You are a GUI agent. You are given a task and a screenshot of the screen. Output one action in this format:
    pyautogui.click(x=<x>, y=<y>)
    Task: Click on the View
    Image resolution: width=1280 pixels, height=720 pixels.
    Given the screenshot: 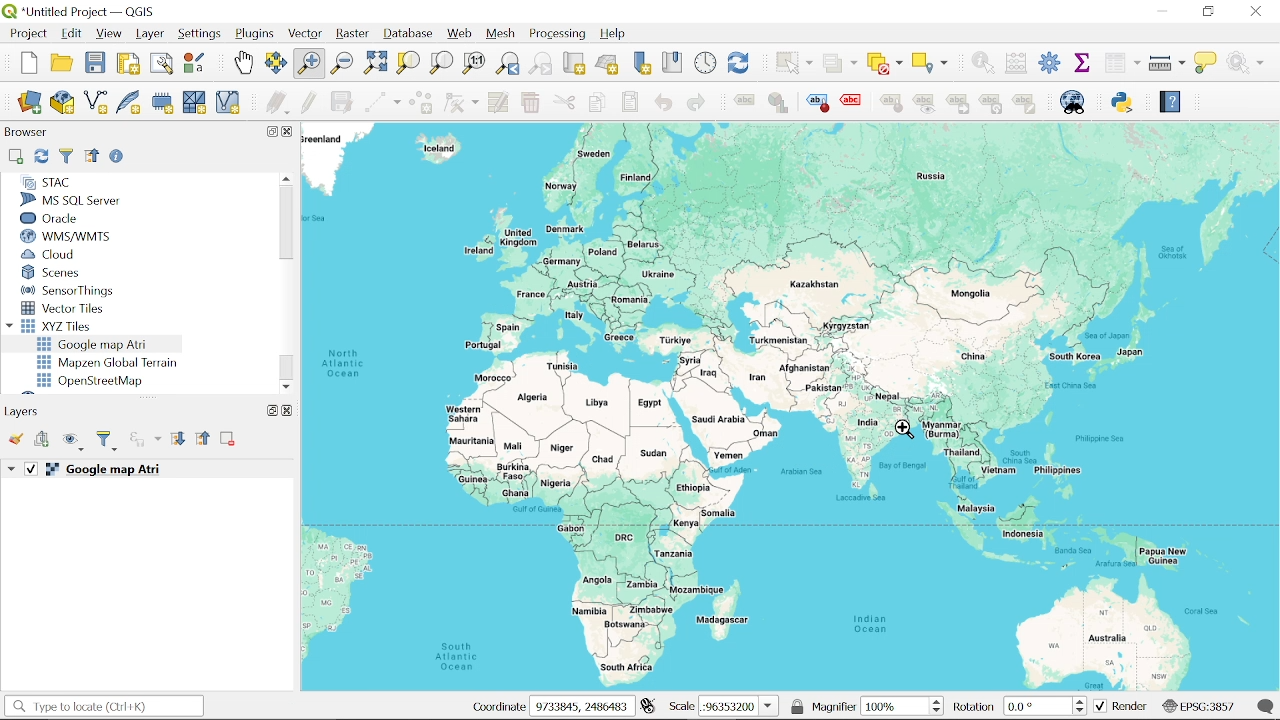 What is the action you would take?
    pyautogui.click(x=109, y=35)
    